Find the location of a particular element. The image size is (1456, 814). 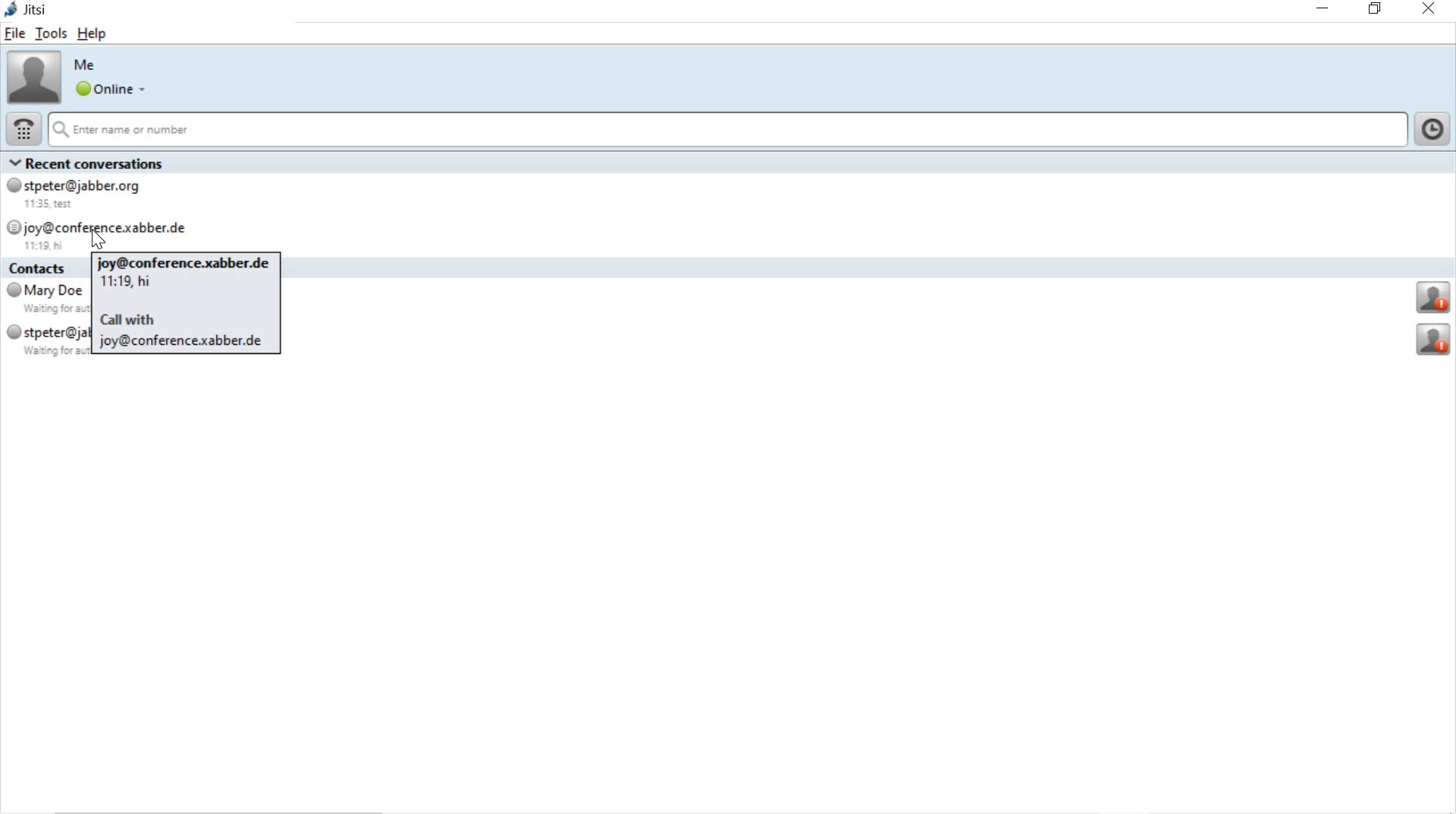

Me is located at coordinates (87, 64).